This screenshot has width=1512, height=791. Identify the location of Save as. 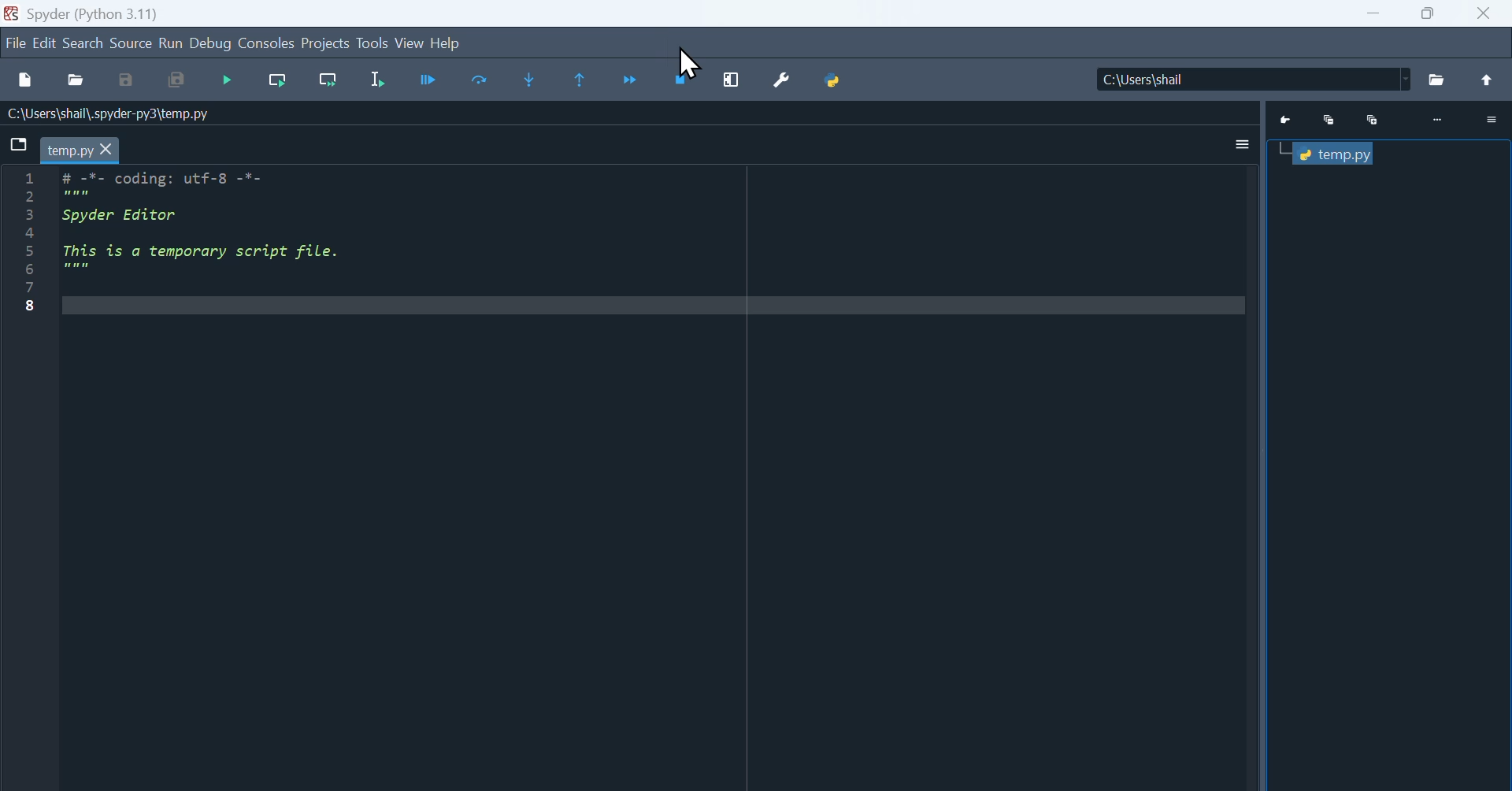
(126, 81).